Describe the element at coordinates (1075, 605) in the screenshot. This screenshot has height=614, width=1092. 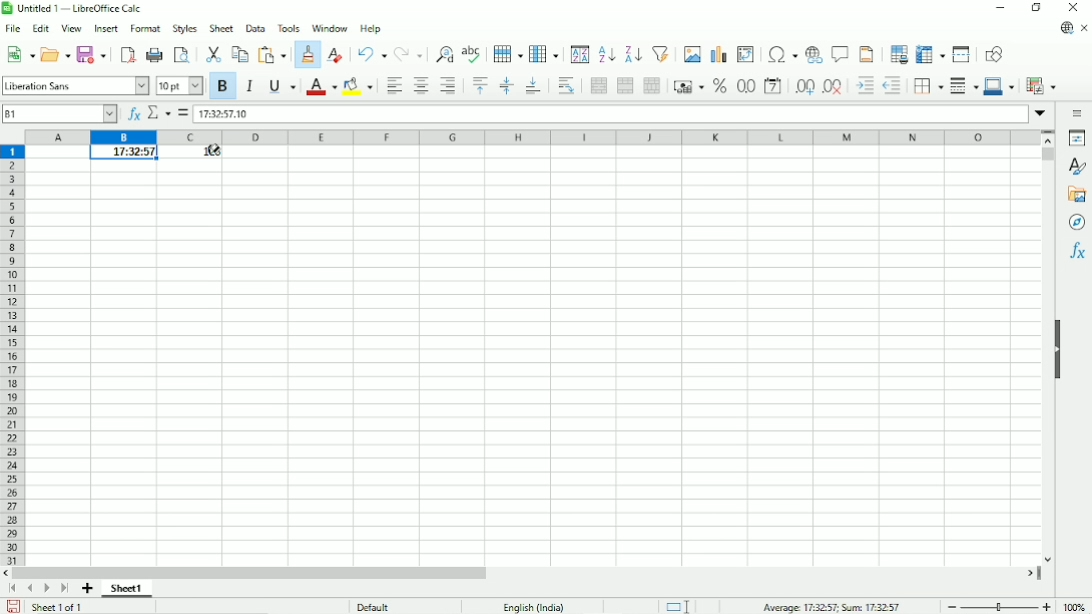
I see `Zoom factor` at that location.